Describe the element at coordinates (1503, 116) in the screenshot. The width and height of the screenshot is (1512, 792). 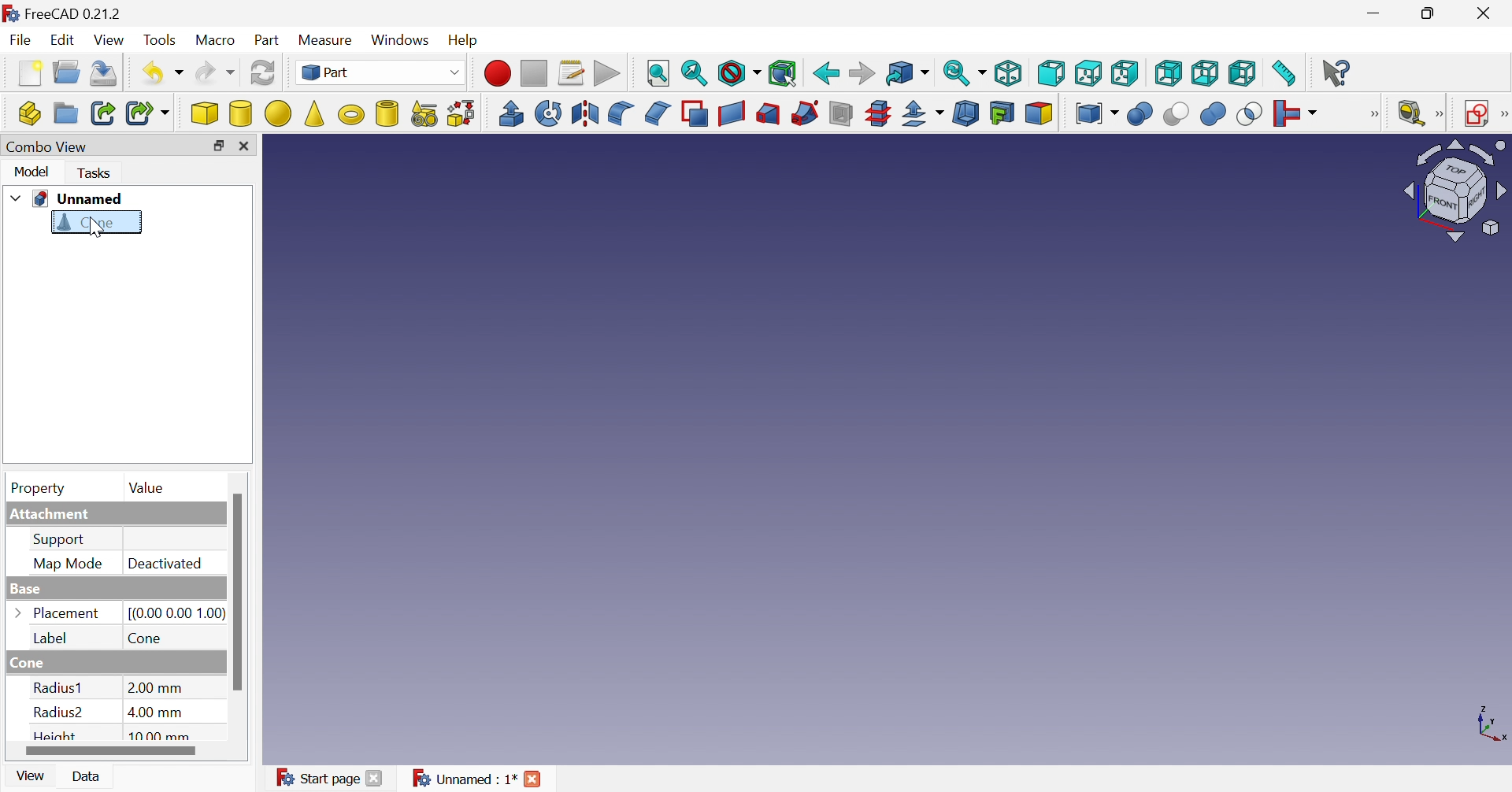
I see `[Sketcher]` at that location.